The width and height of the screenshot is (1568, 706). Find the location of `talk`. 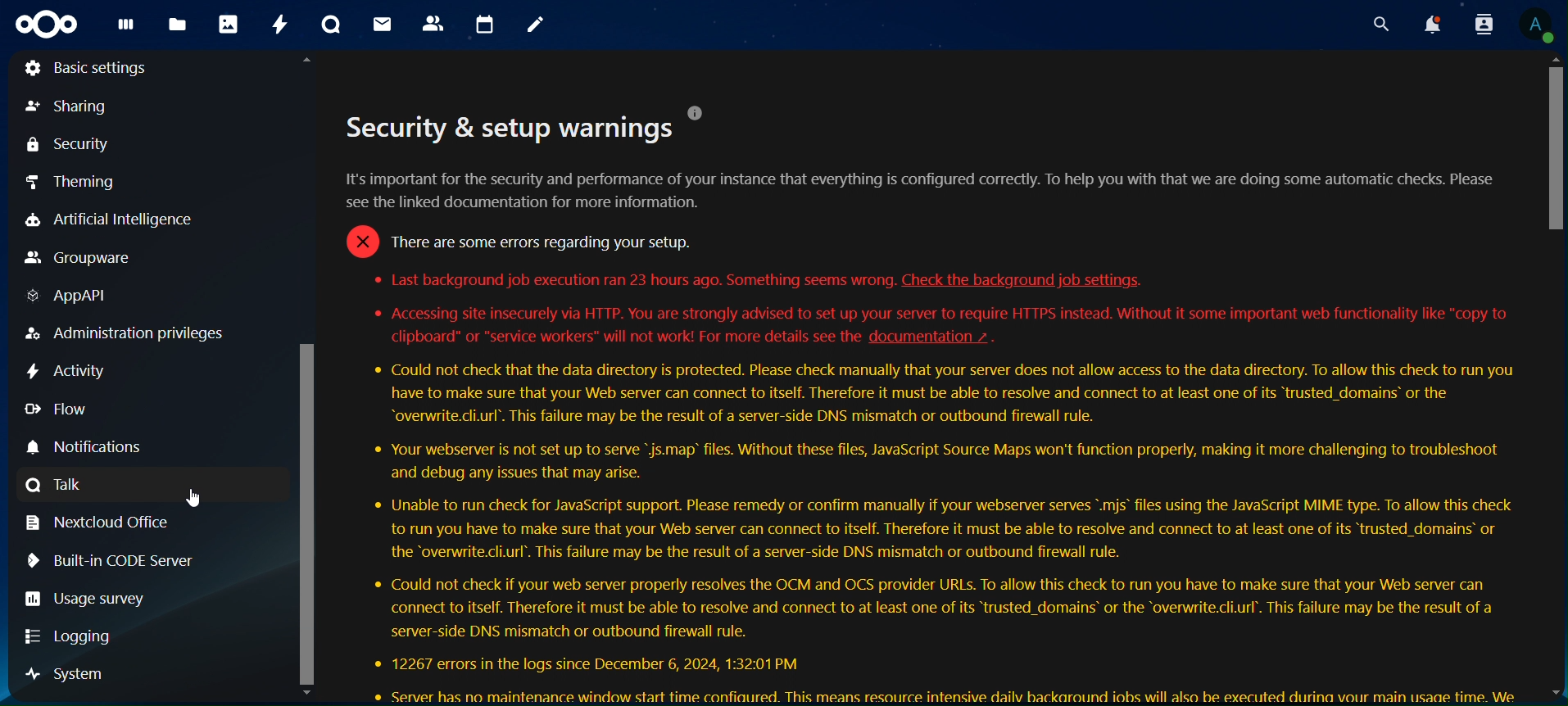

talk is located at coordinates (331, 25).